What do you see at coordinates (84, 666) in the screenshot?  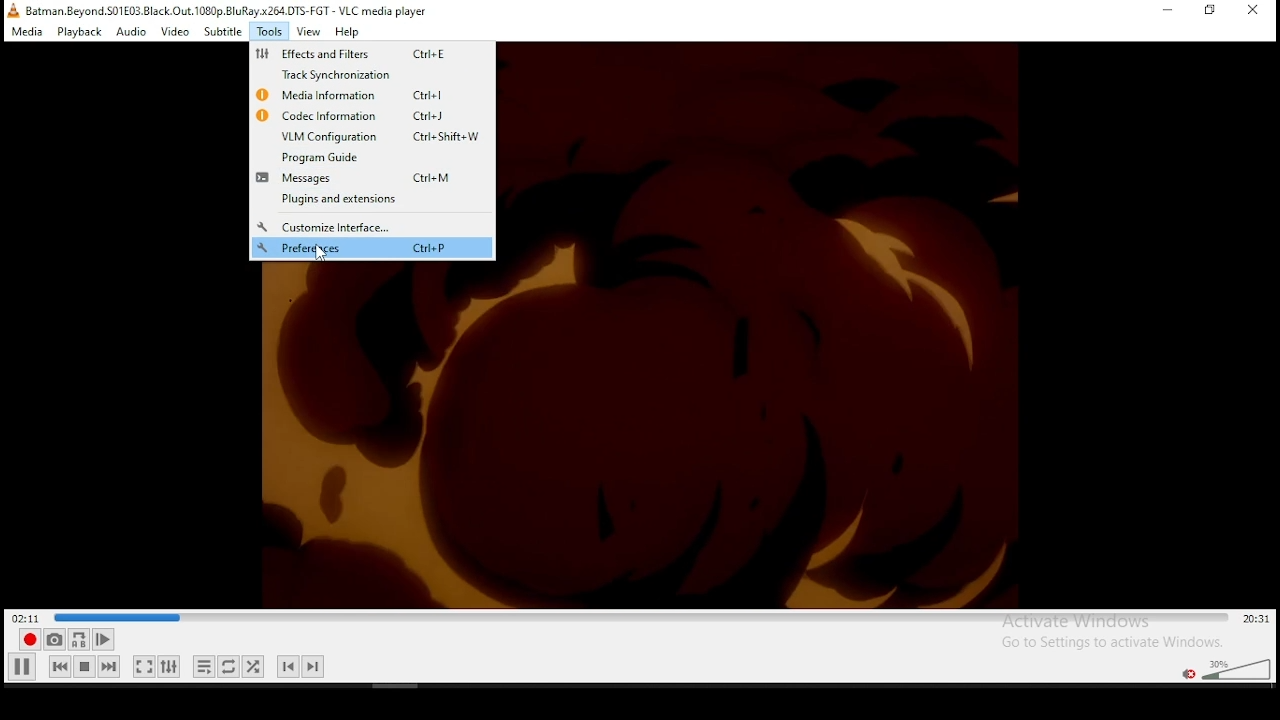 I see `stop` at bounding box center [84, 666].